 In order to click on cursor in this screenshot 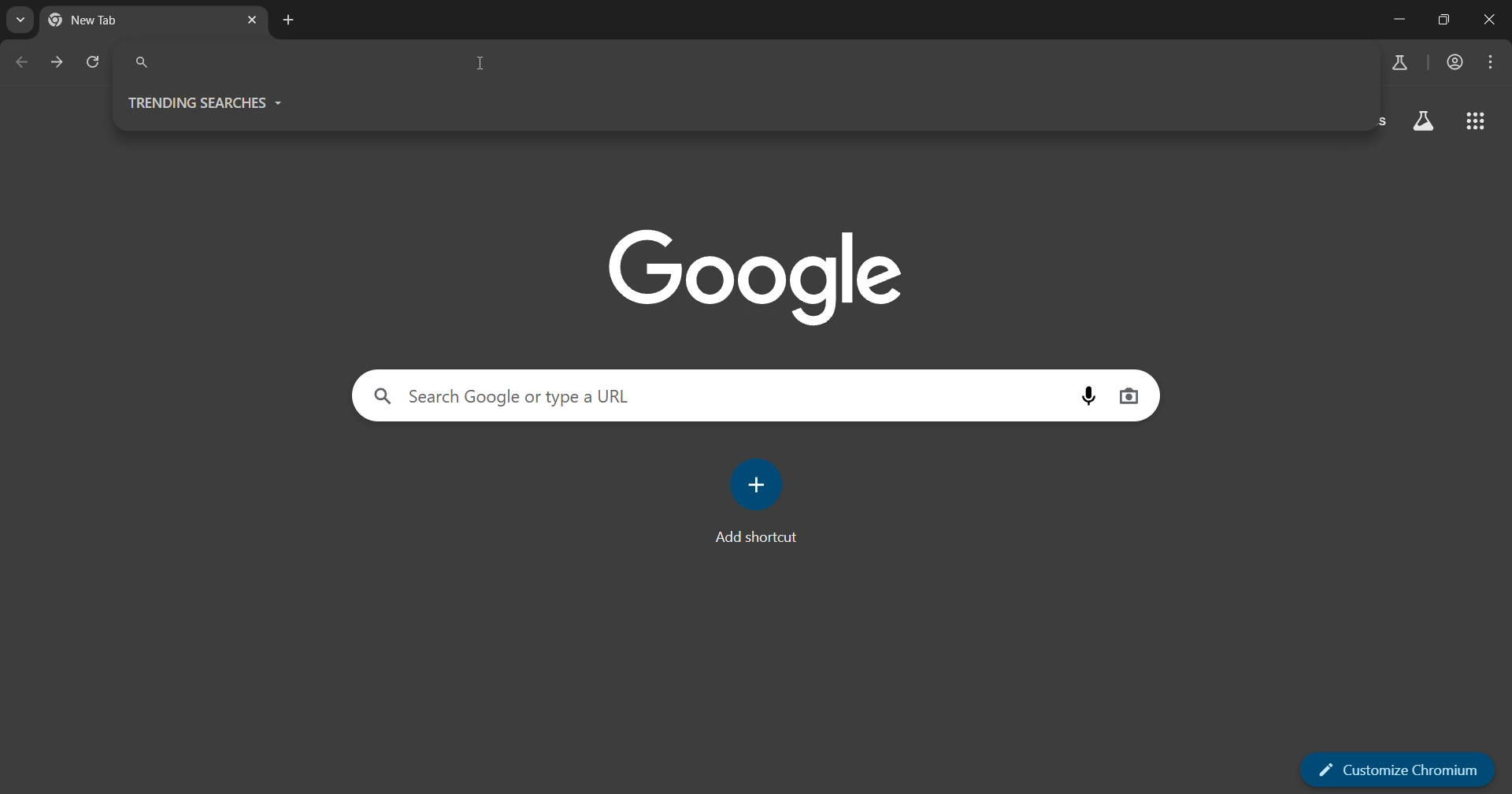, I will do `click(479, 64)`.